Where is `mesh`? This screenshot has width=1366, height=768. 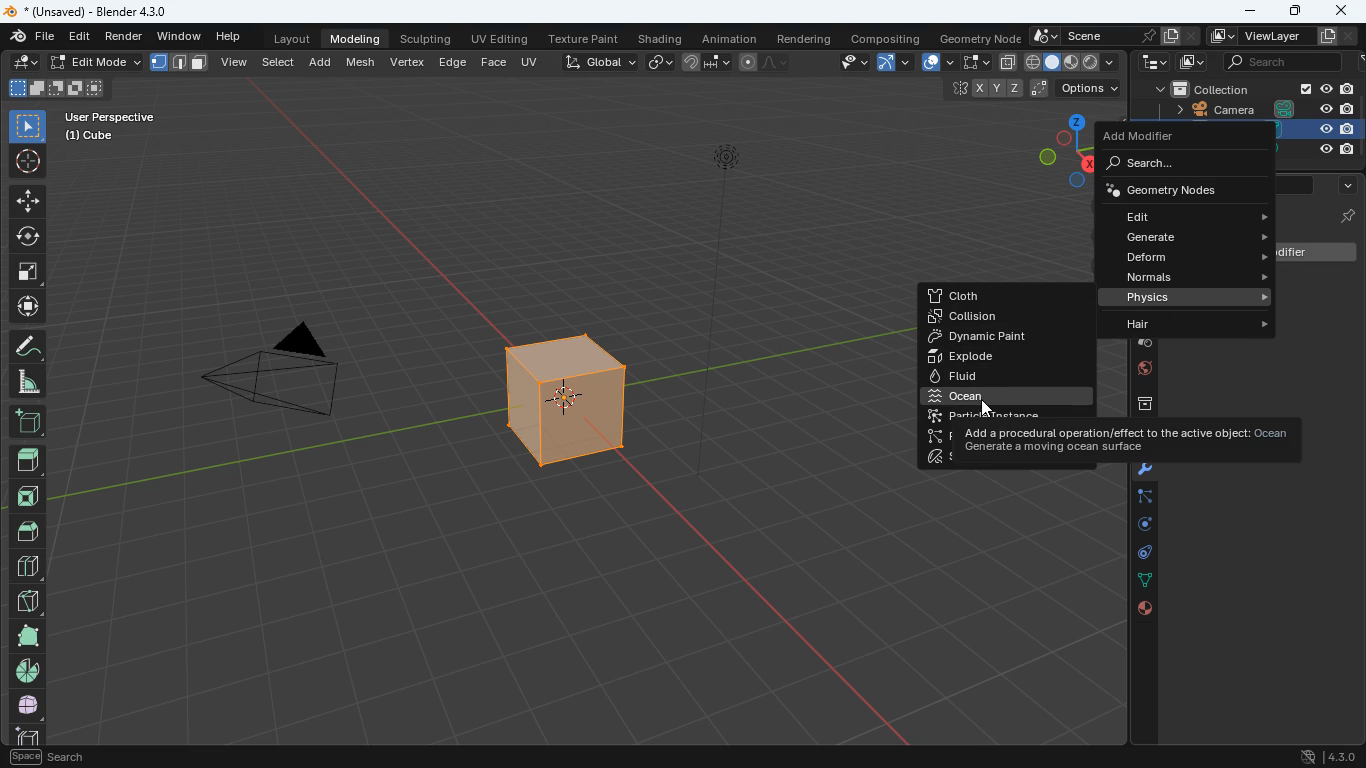
mesh is located at coordinates (363, 60).